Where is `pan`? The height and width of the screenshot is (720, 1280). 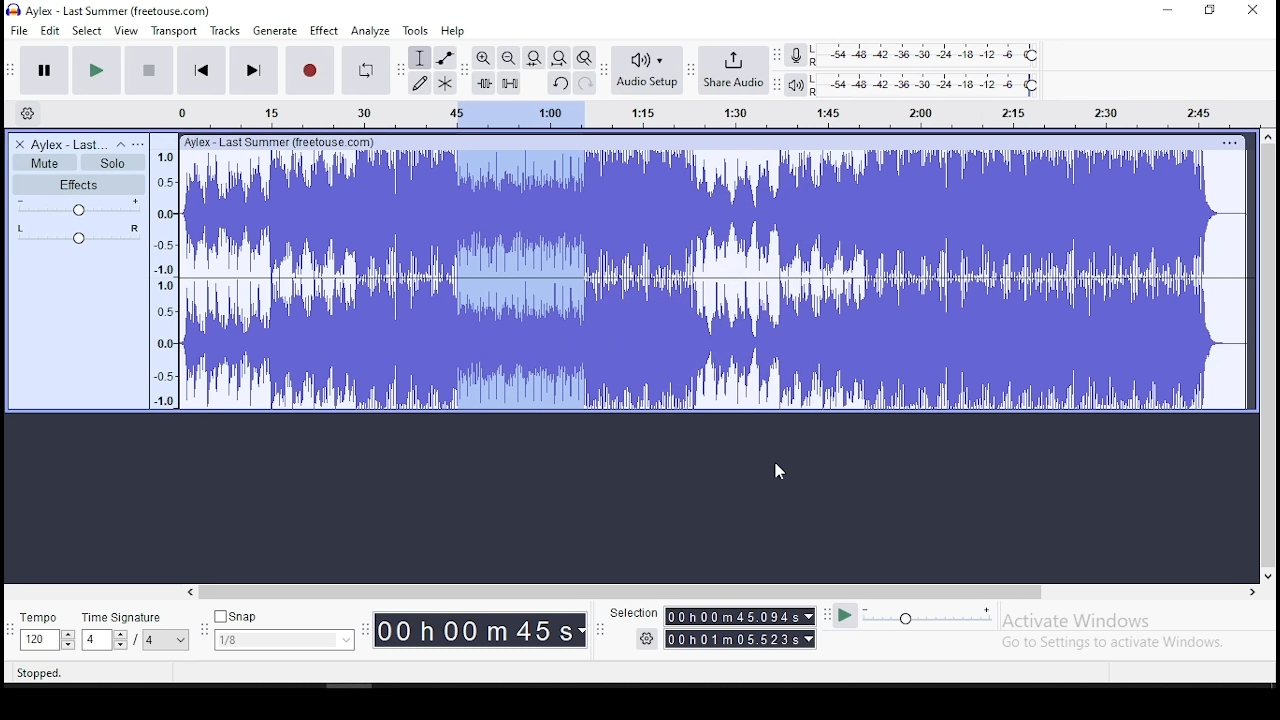
pan is located at coordinates (77, 234).